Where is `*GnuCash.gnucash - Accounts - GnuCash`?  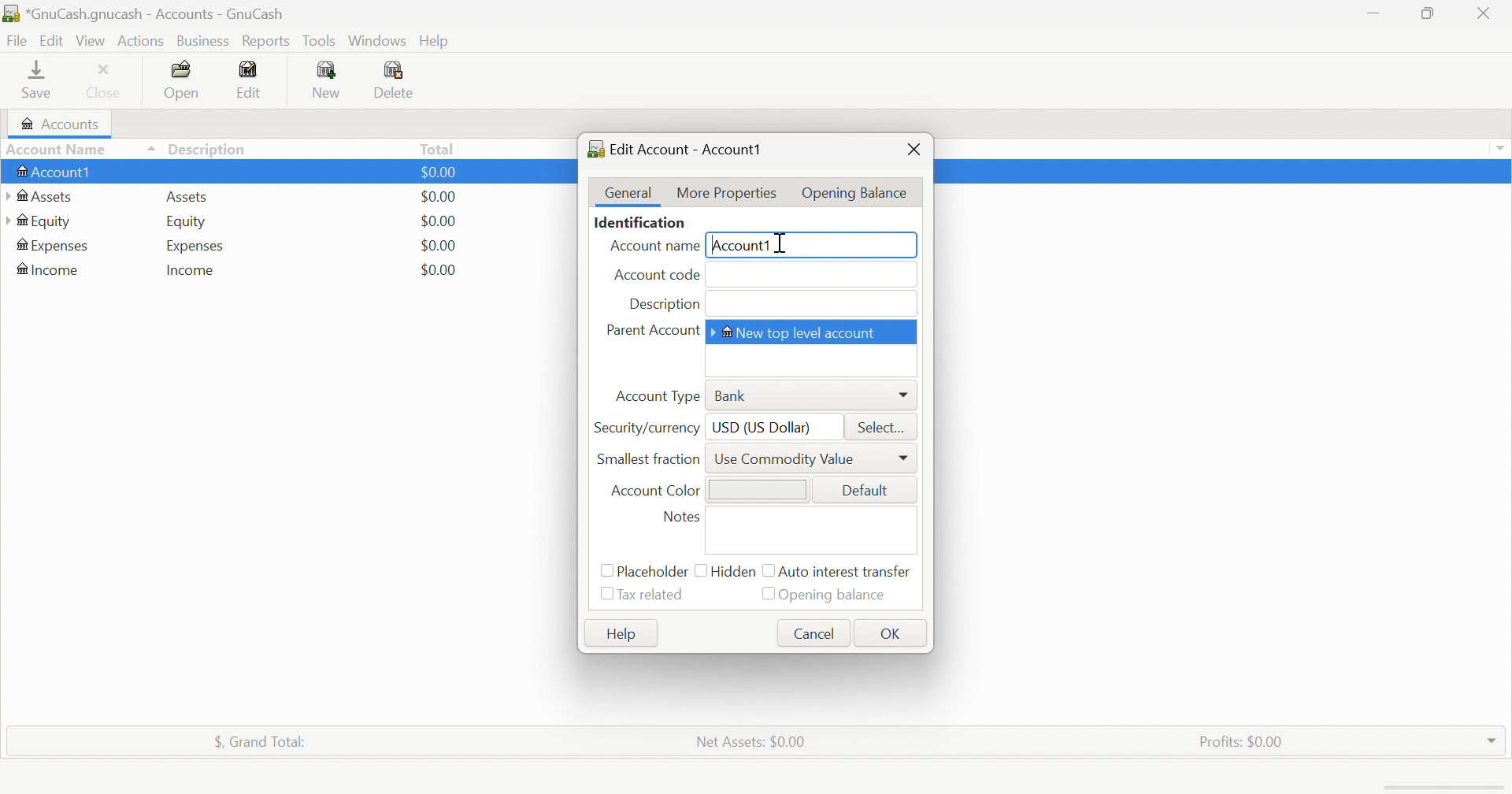 *GnuCash.gnucash - Accounts - GnuCash is located at coordinates (149, 14).